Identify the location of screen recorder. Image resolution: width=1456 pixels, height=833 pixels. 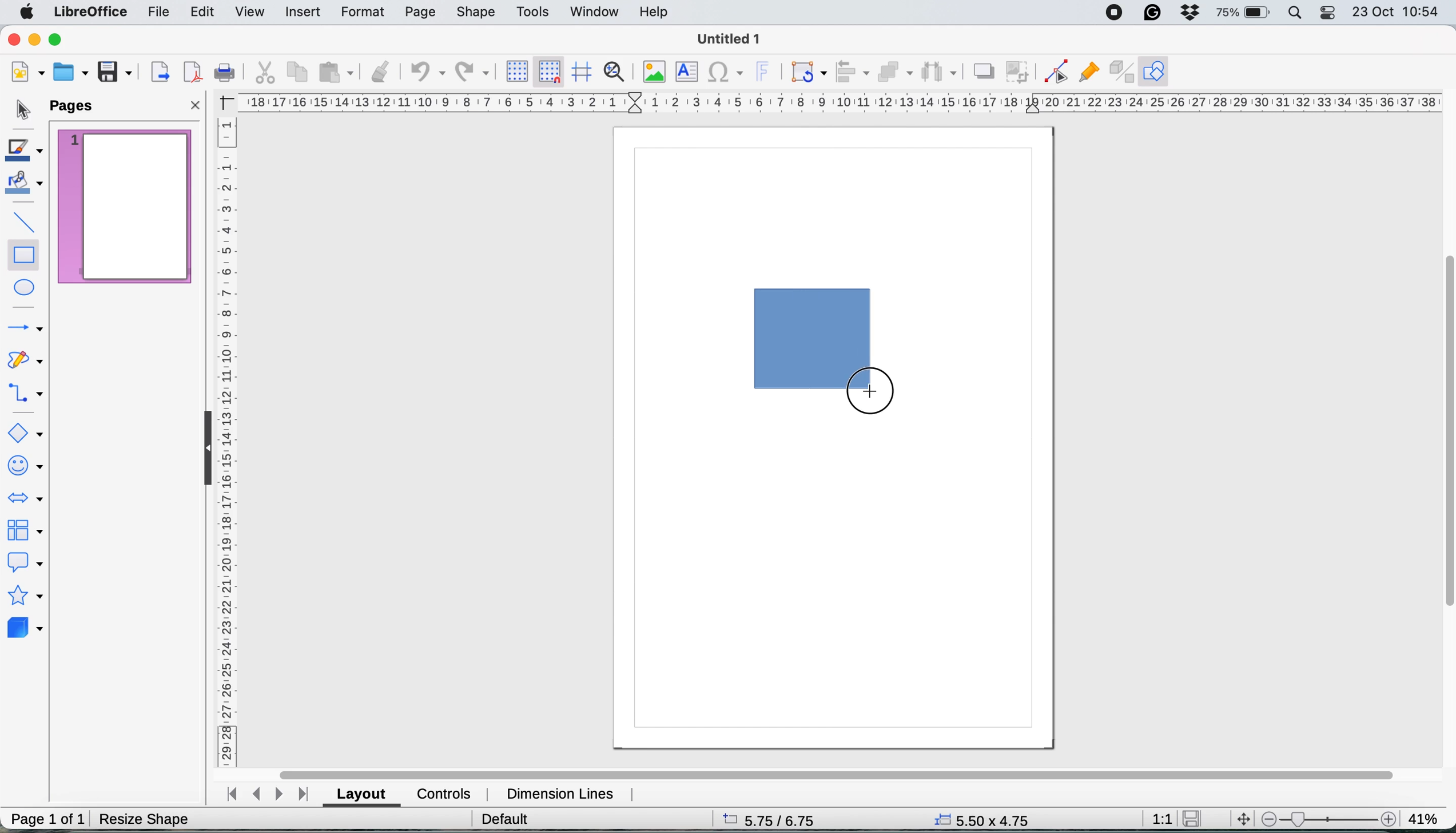
(1112, 13).